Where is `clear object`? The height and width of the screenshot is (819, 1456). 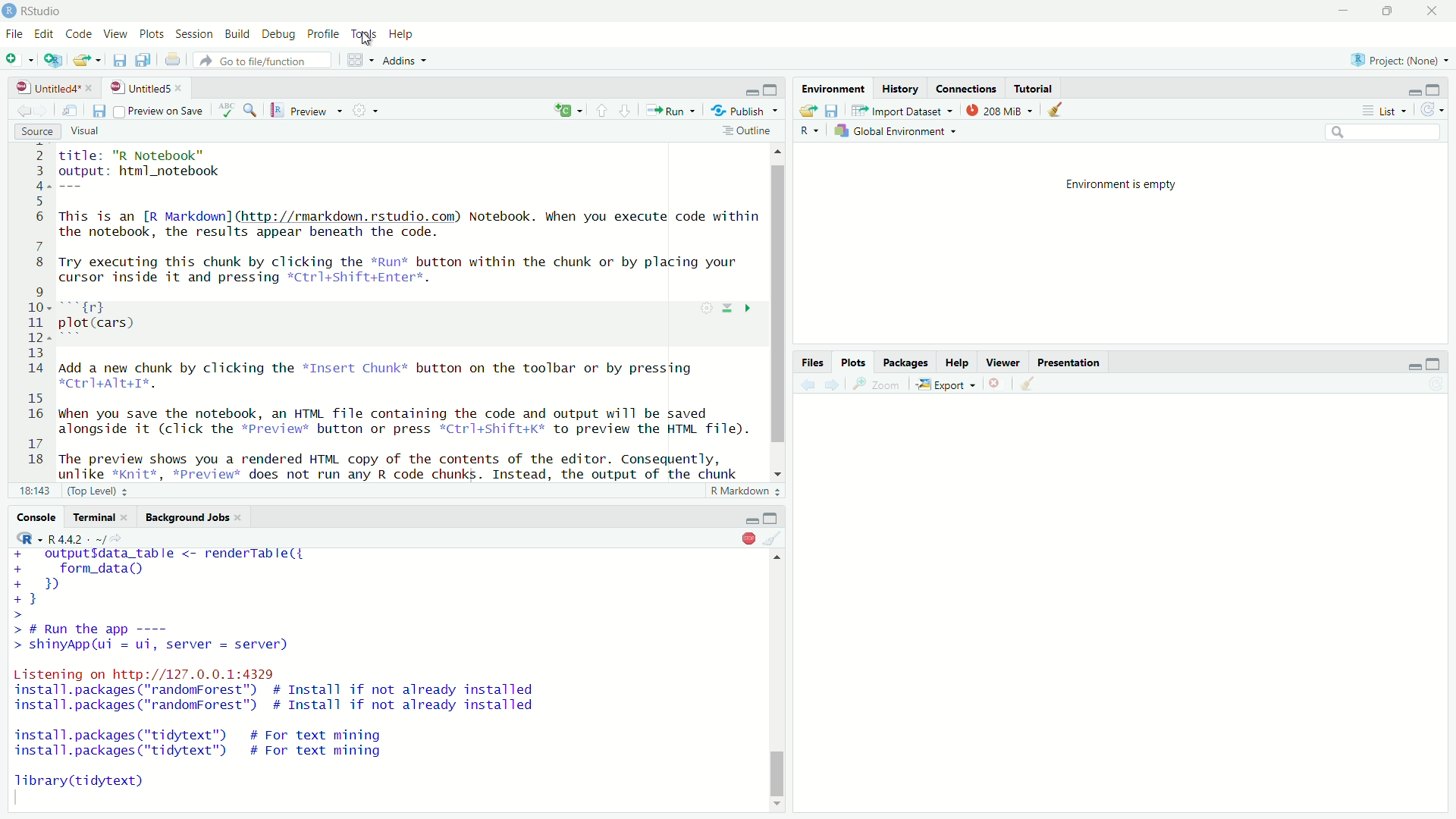 clear object is located at coordinates (773, 538).